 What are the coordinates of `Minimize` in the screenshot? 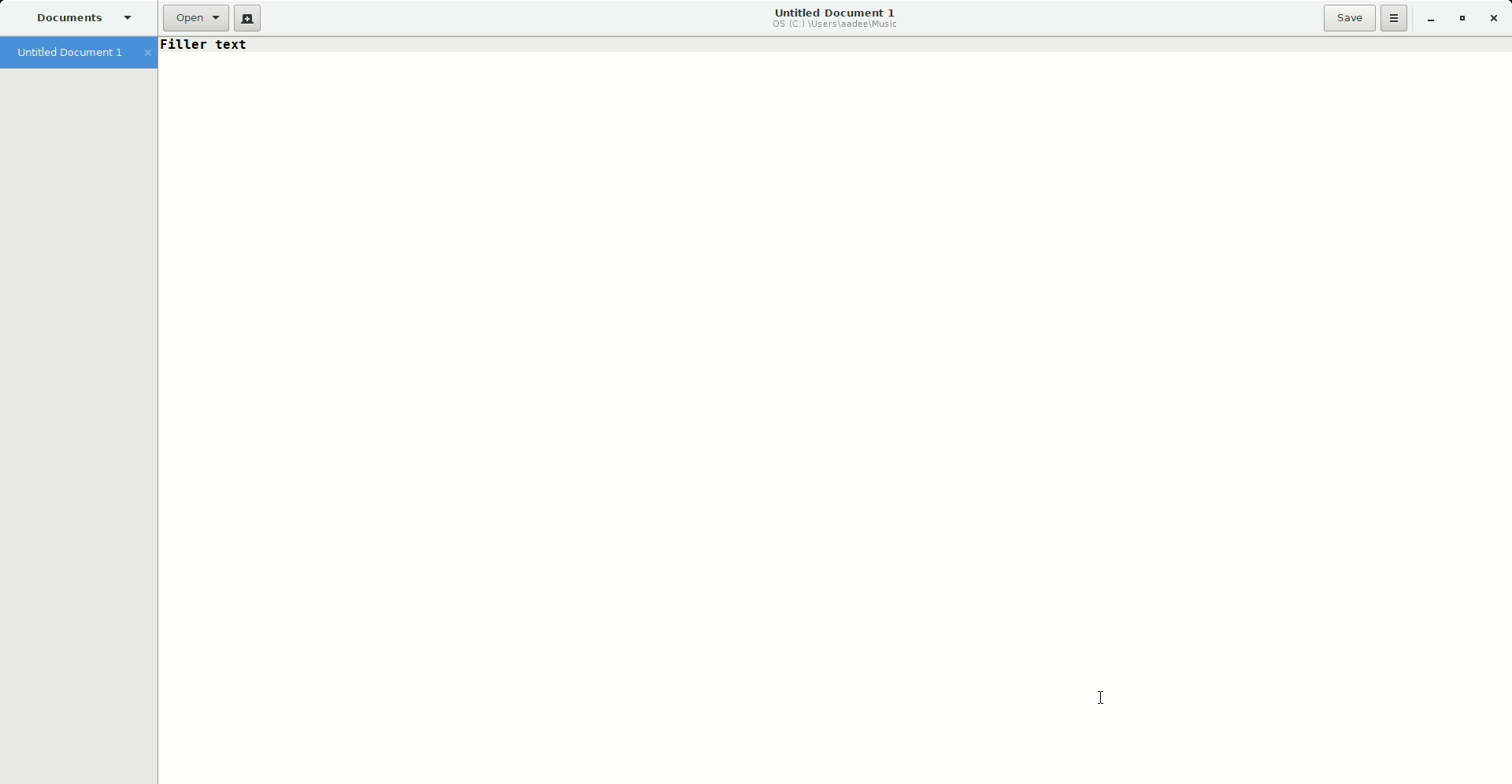 It's located at (1427, 19).